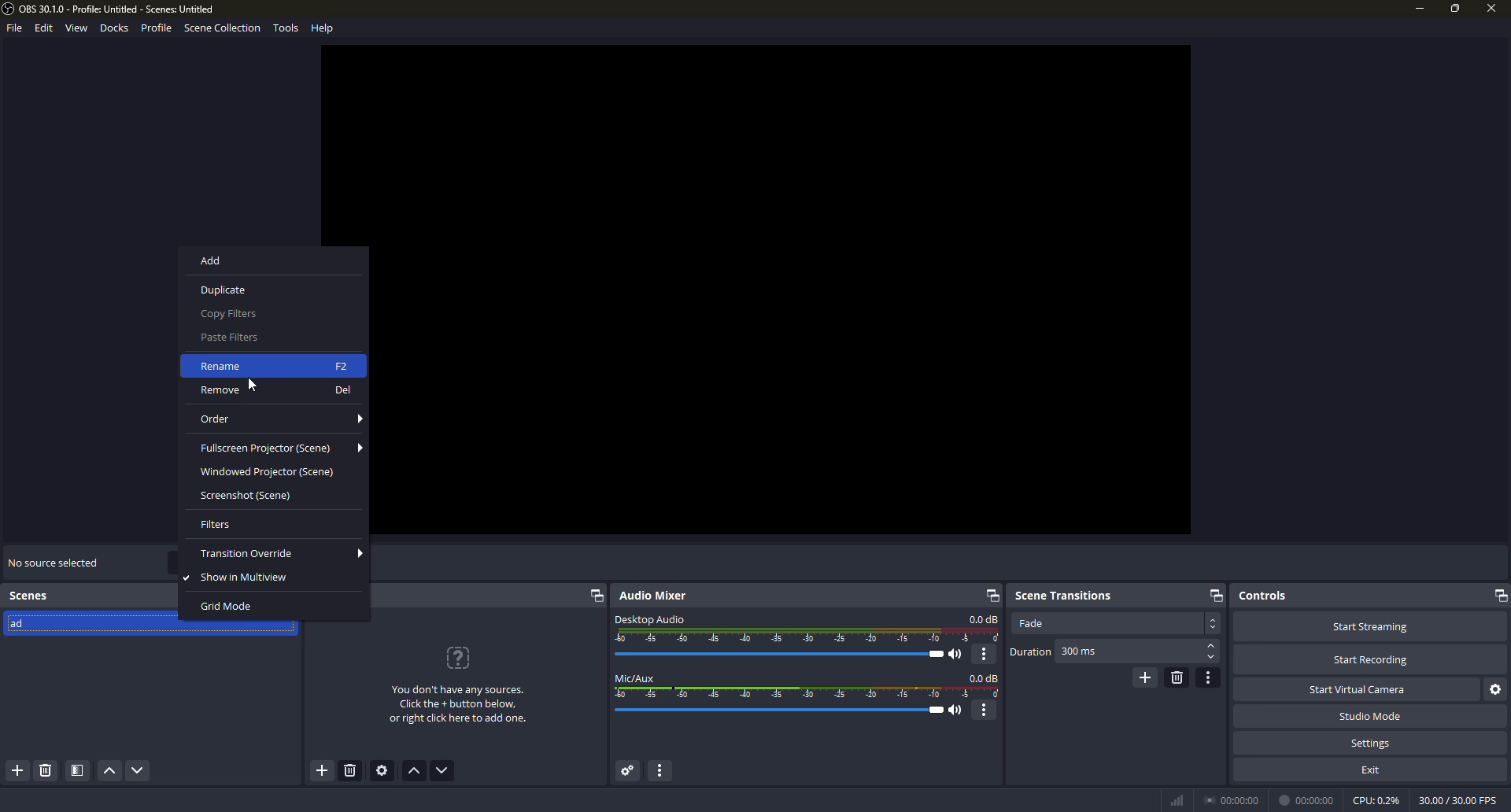 This screenshot has width=1511, height=812. What do you see at coordinates (1369, 626) in the screenshot?
I see `start streaming` at bounding box center [1369, 626].